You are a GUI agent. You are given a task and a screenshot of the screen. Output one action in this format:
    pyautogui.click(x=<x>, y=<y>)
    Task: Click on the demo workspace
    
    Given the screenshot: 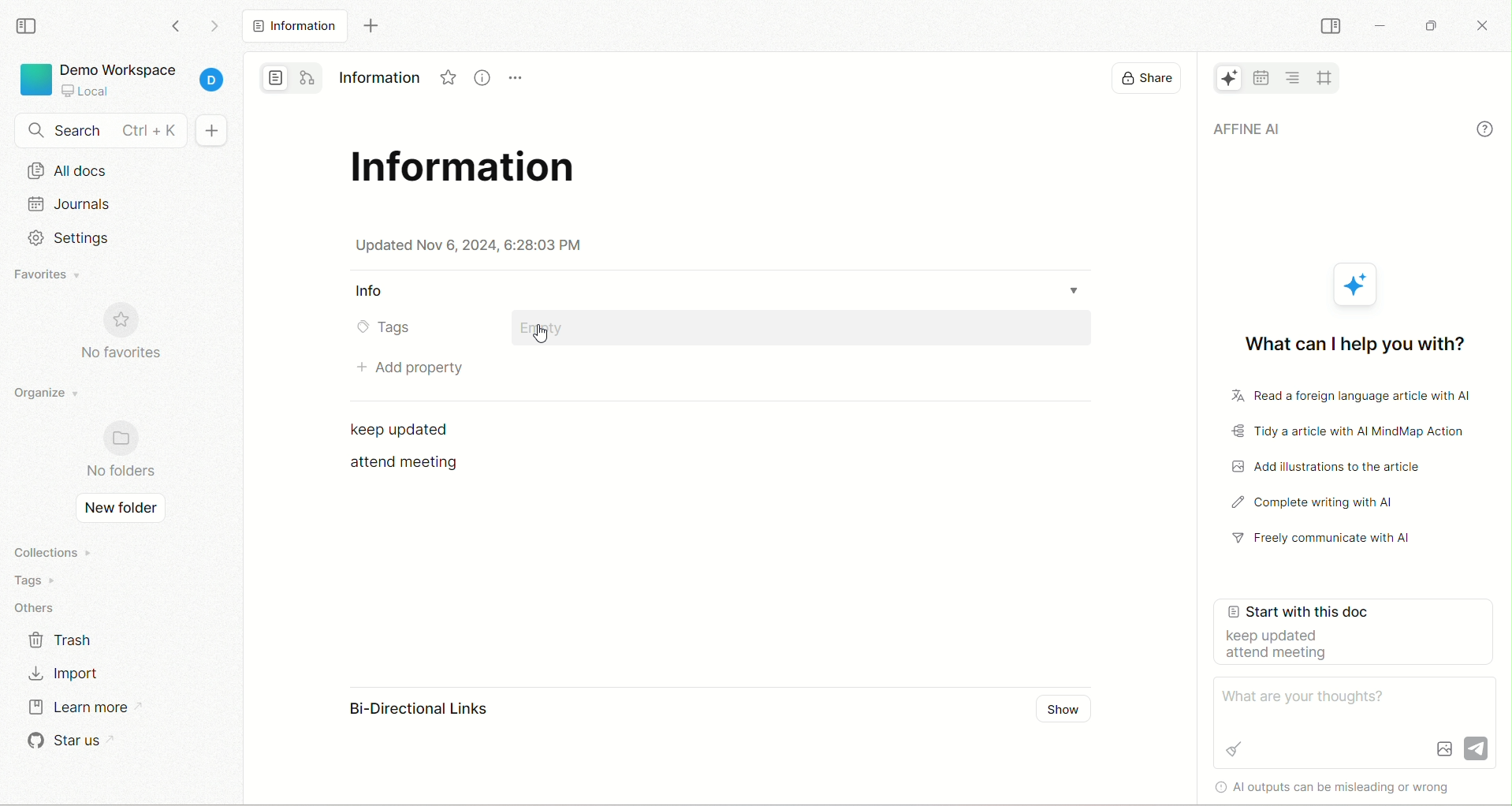 What is the action you would take?
    pyautogui.click(x=117, y=67)
    